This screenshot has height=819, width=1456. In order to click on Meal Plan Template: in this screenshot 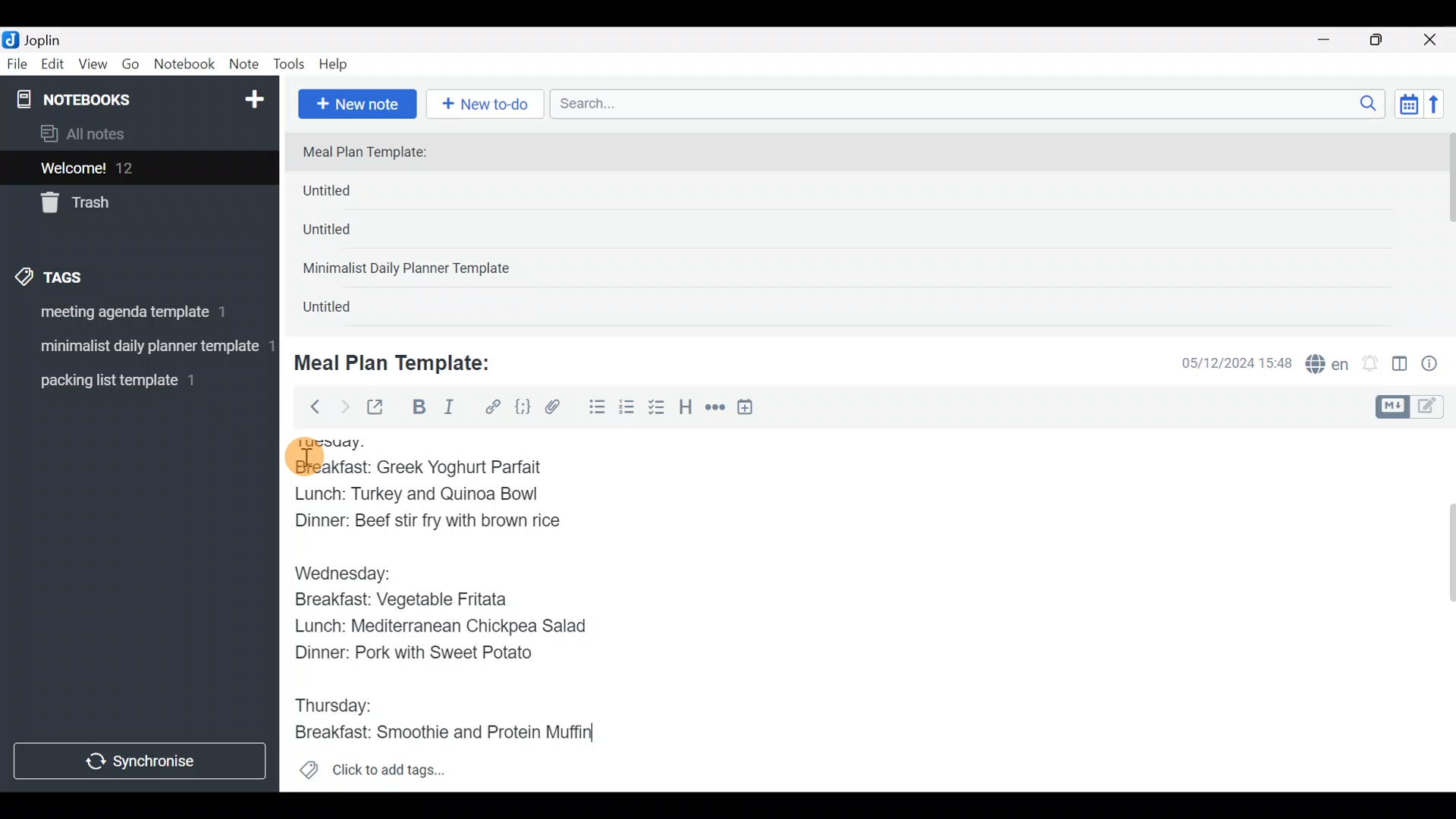, I will do `click(374, 153)`.